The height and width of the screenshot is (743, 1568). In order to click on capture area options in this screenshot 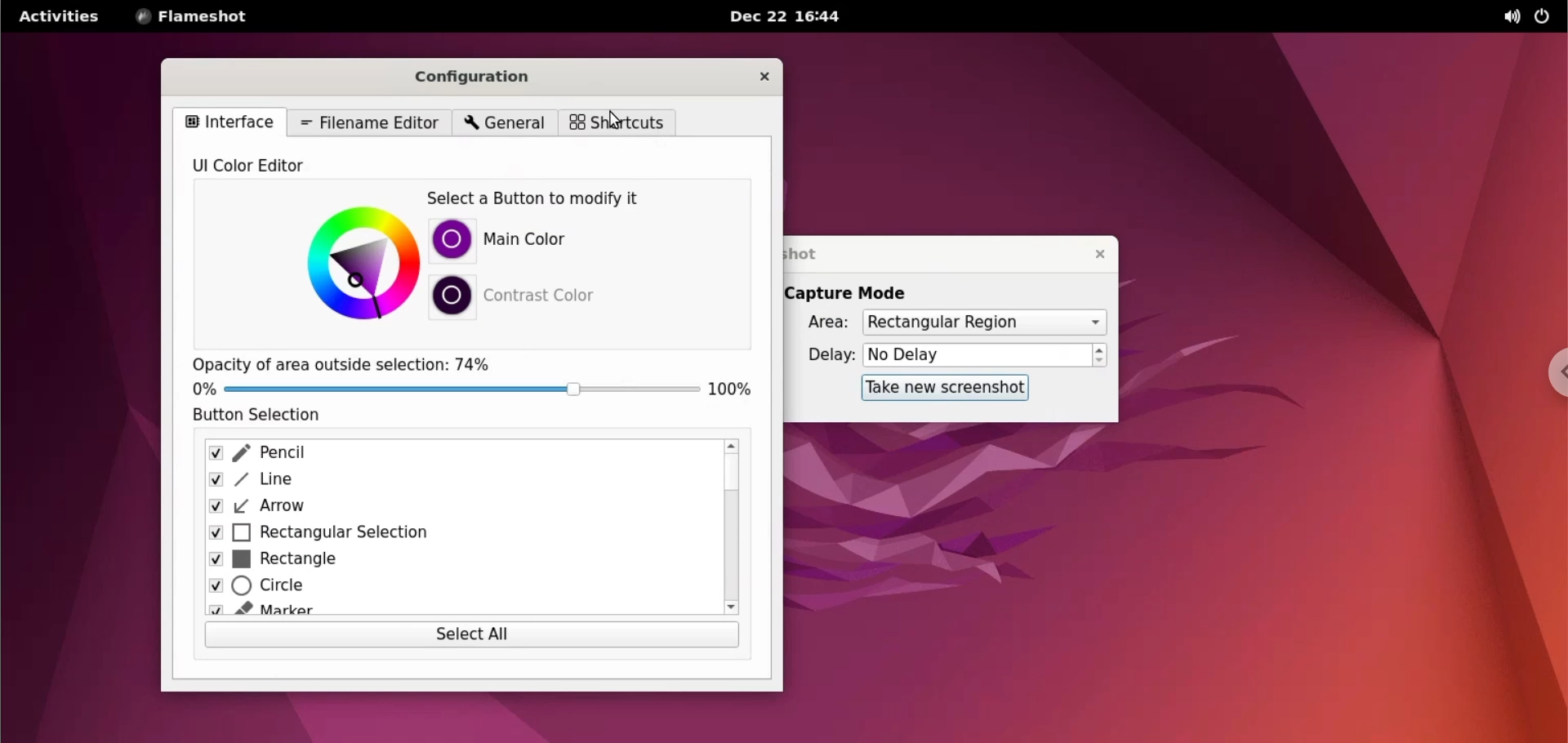, I will do `click(982, 323)`.